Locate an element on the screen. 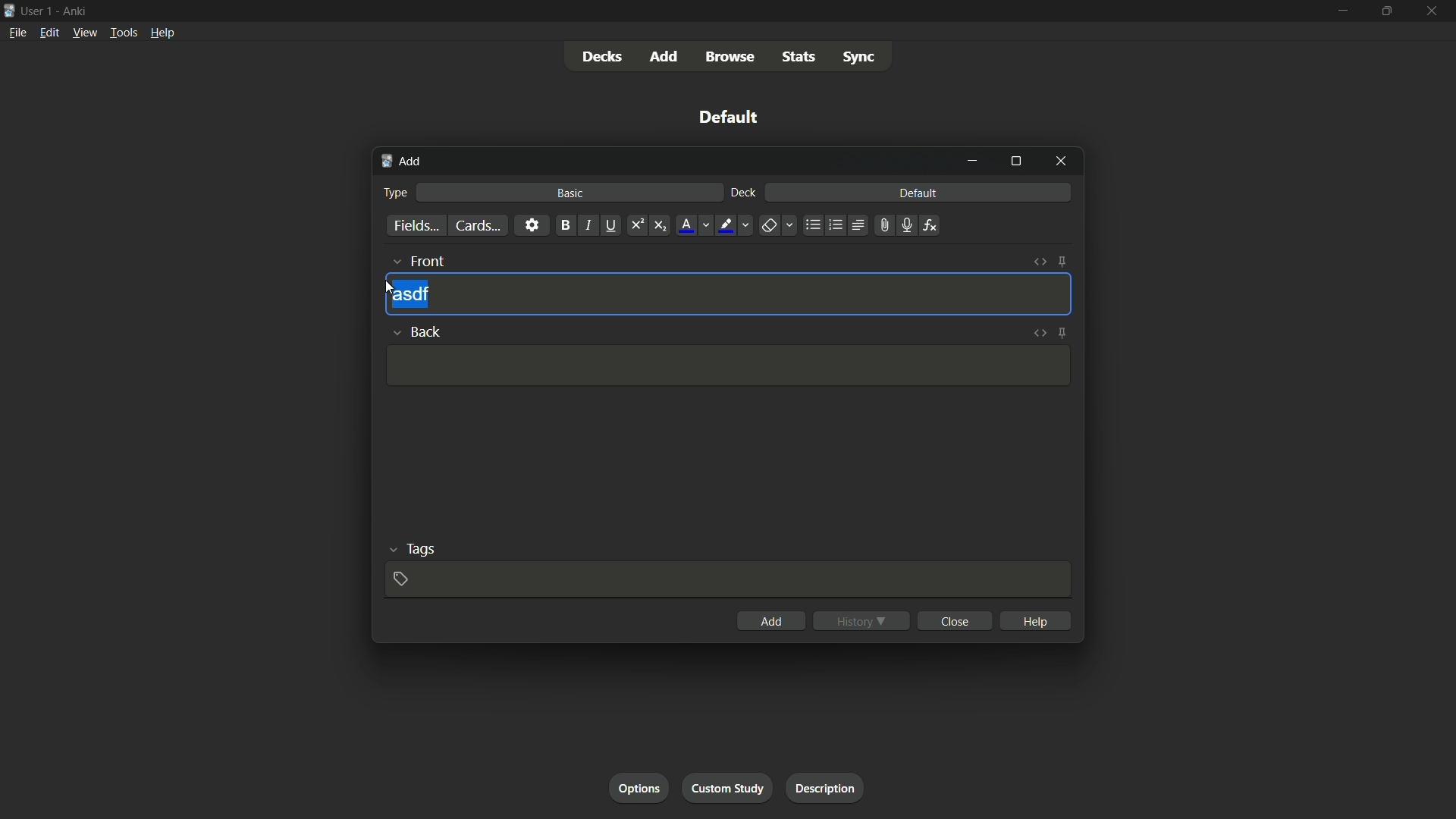  superscript is located at coordinates (636, 225).